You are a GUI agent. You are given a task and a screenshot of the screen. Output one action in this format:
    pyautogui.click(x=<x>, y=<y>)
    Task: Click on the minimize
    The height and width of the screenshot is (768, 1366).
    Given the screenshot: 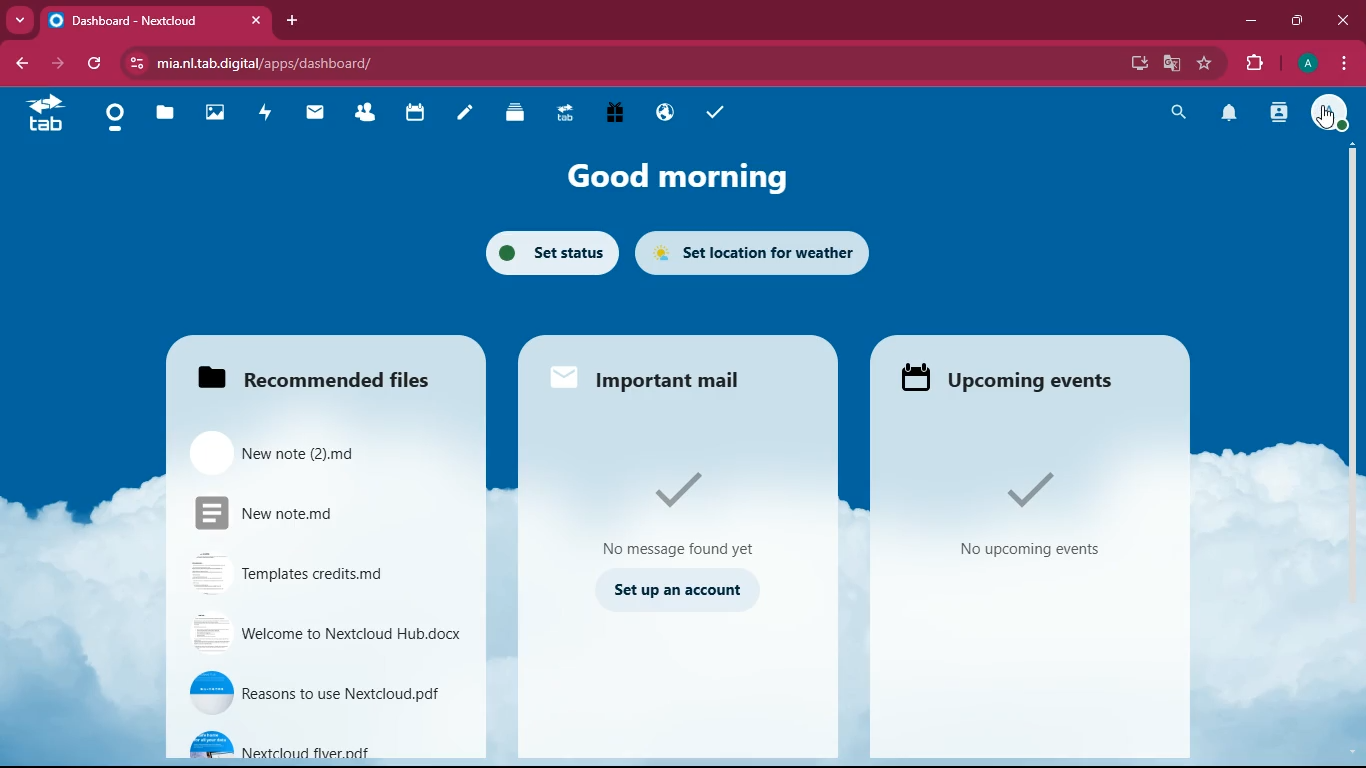 What is the action you would take?
    pyautogui.click(x=1250, y=19)
    